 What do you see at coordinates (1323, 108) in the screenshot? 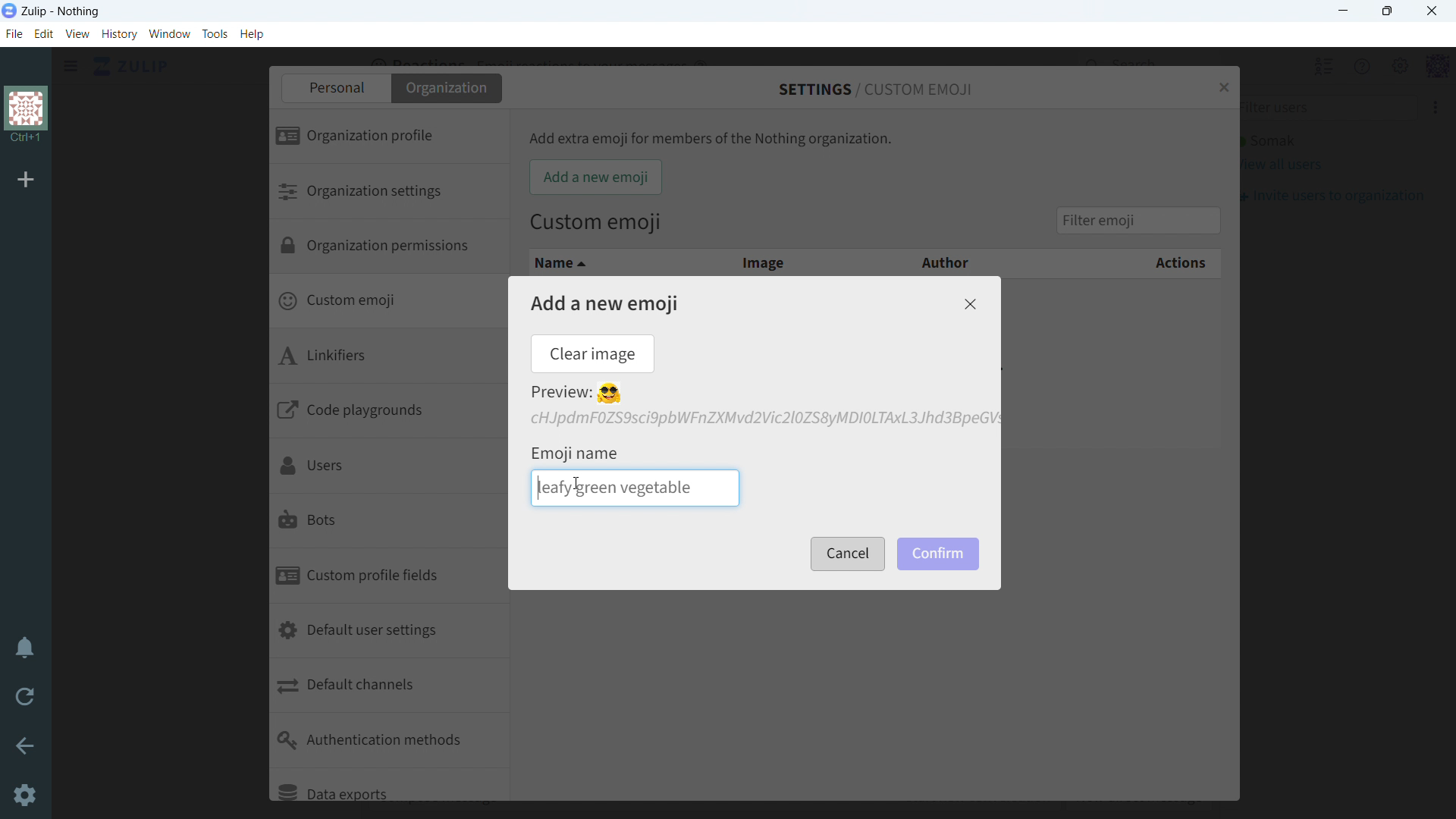
I see `filter users` at bounding box center [1323, 108].